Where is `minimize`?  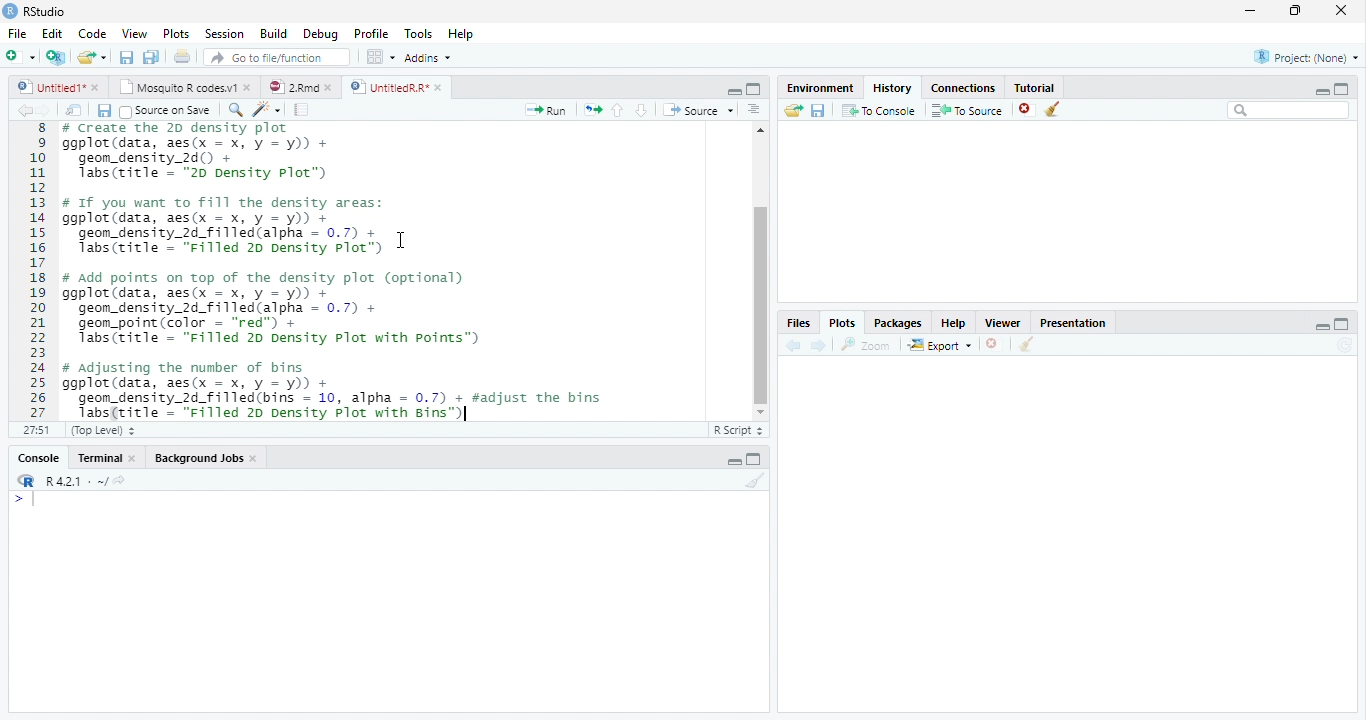 minimize is located at coordinates (1319, 91).